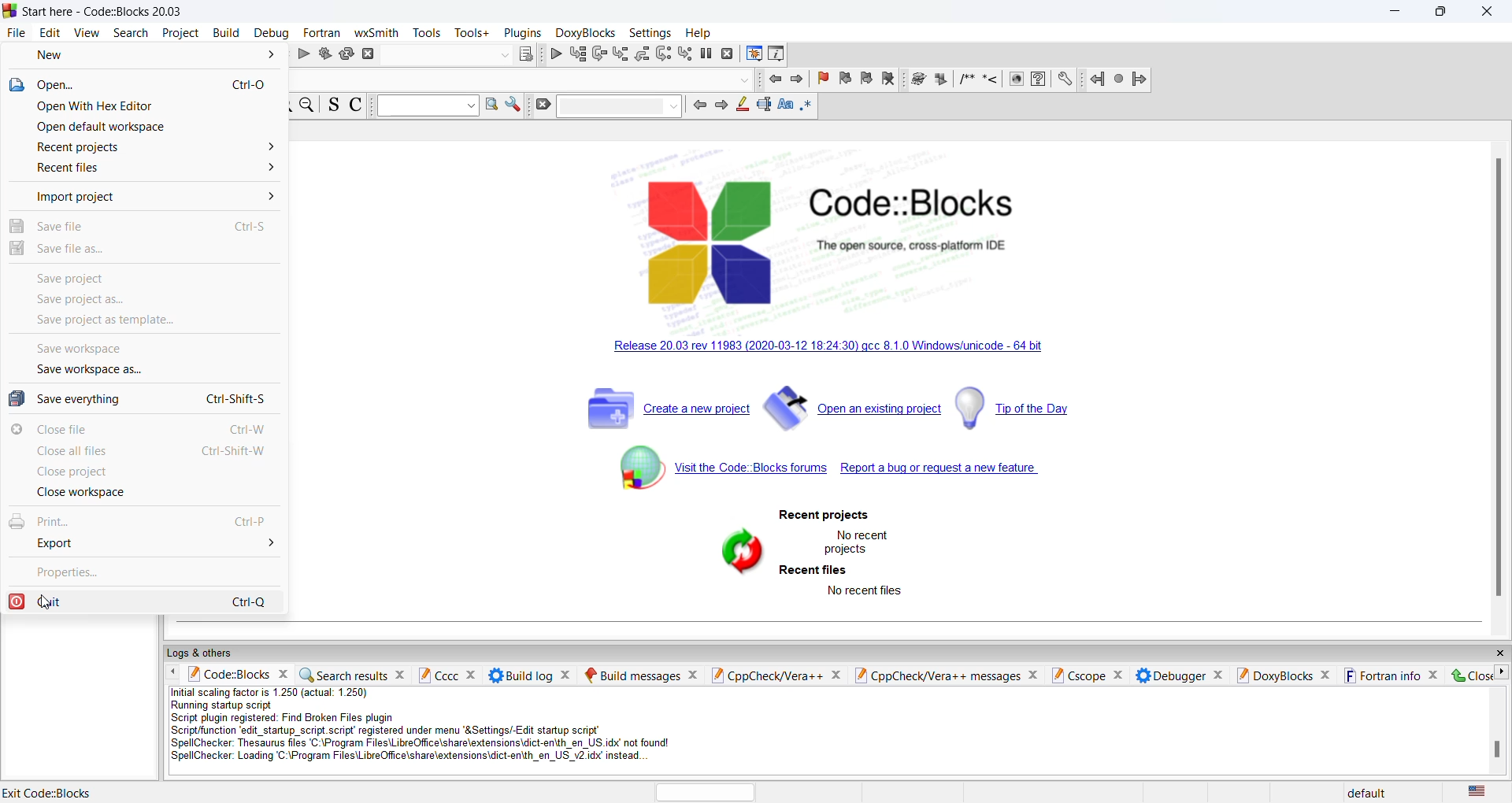 This screenshot has height=803, width=1512. Describe the element at coordinates (173, 672) in the screenshot. I see `move left` at that location.